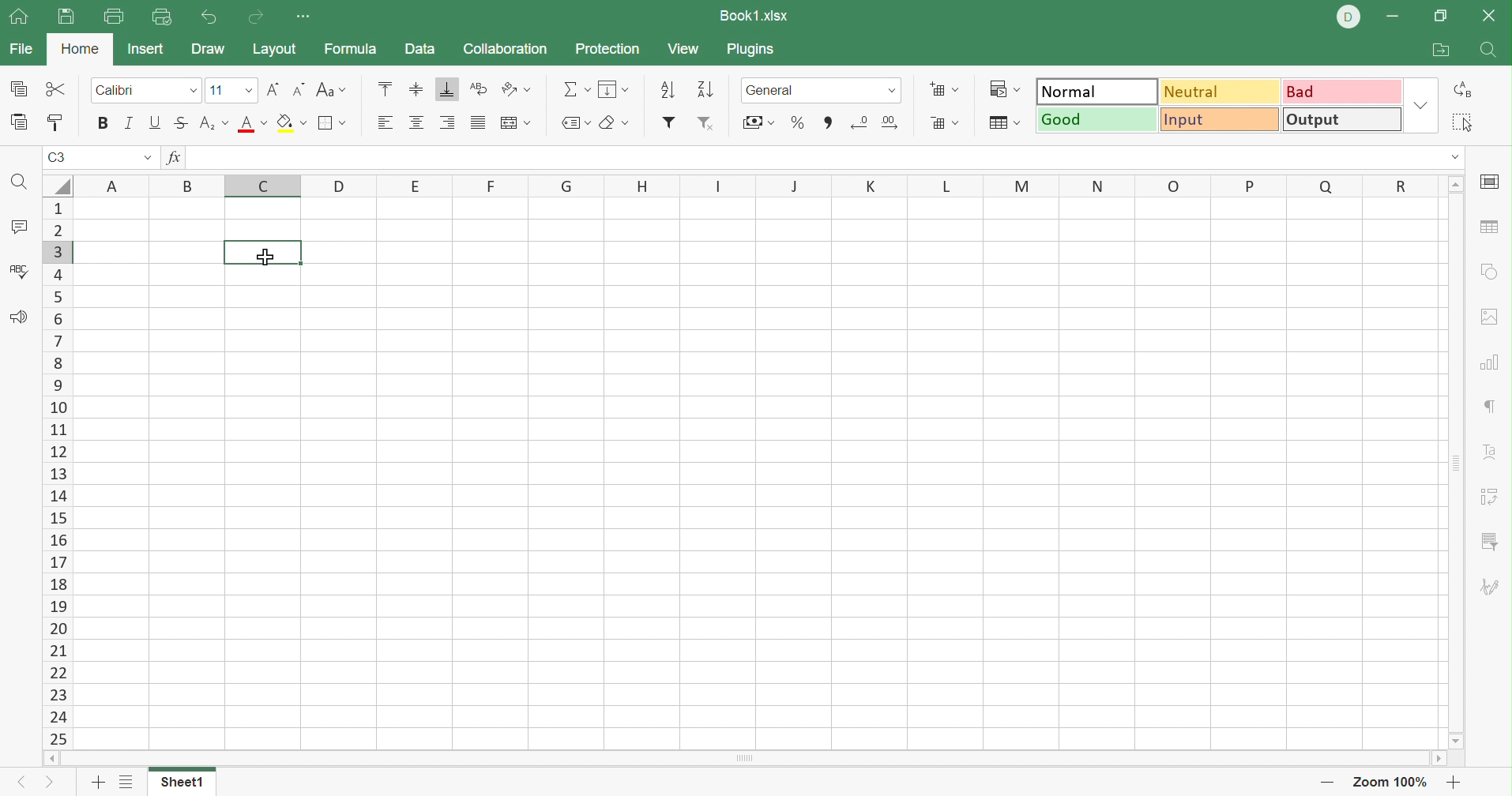  Describe the element at coordinates (47, 783) in the screenshot. I see `Next` at that location.